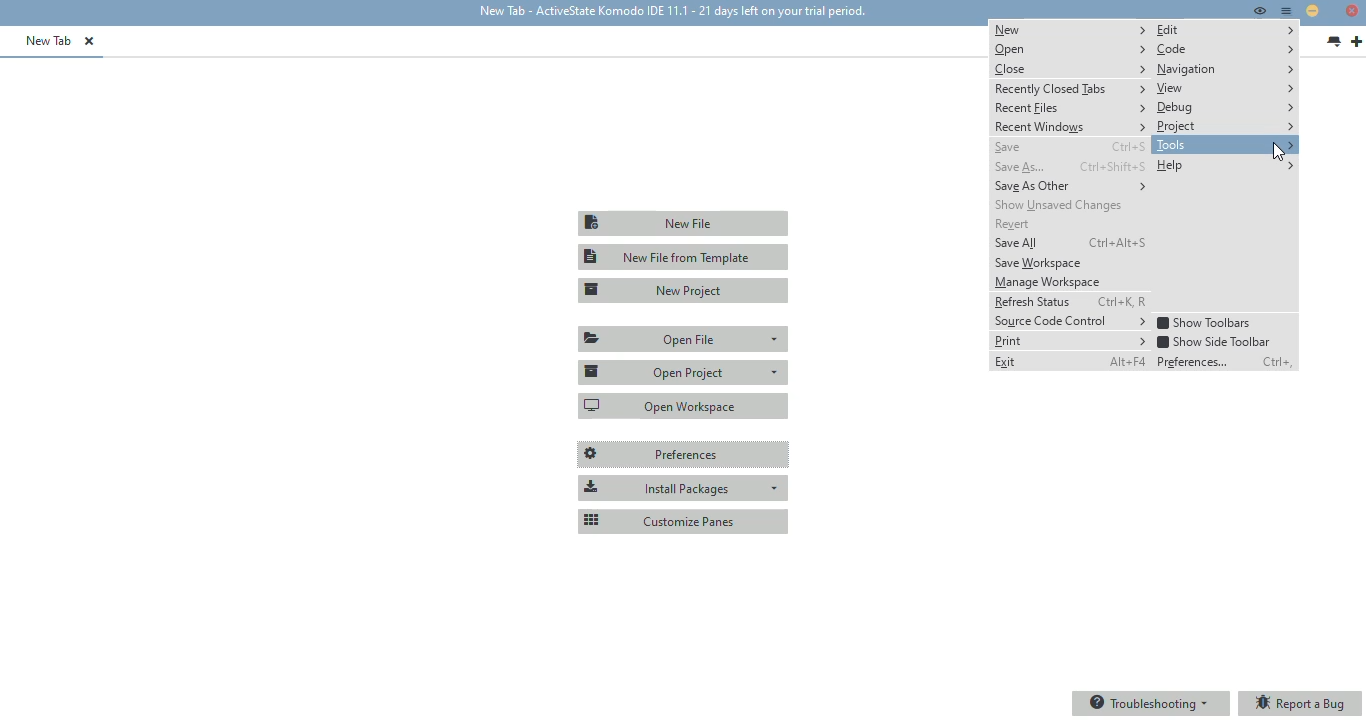  Describe the element at coordinates (1070, 109) in the screenshot. I see `recent files` at that location.